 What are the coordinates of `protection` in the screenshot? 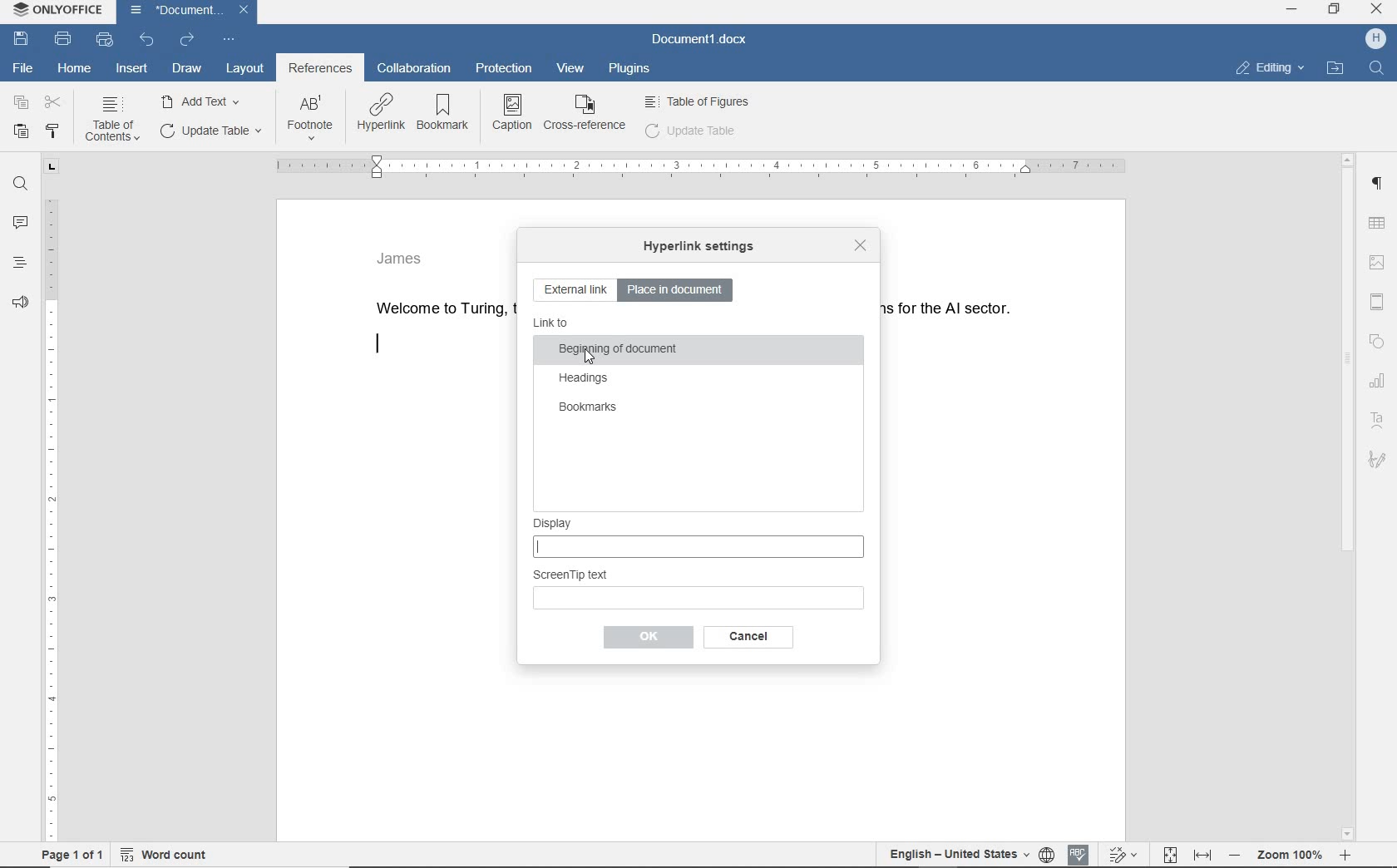 It's located at (506, 70).